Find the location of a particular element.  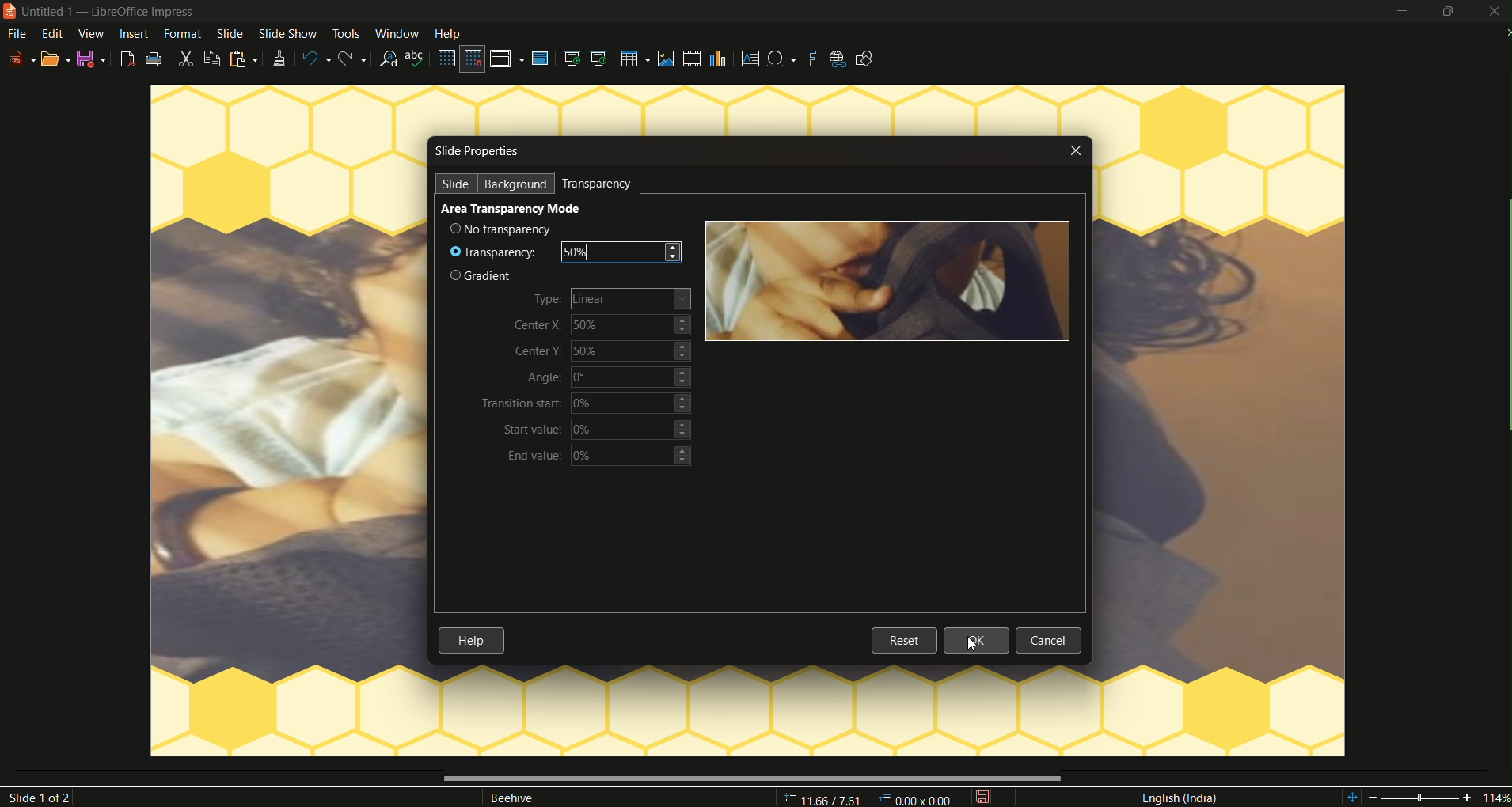

50% is located at coordinates (633, 326).